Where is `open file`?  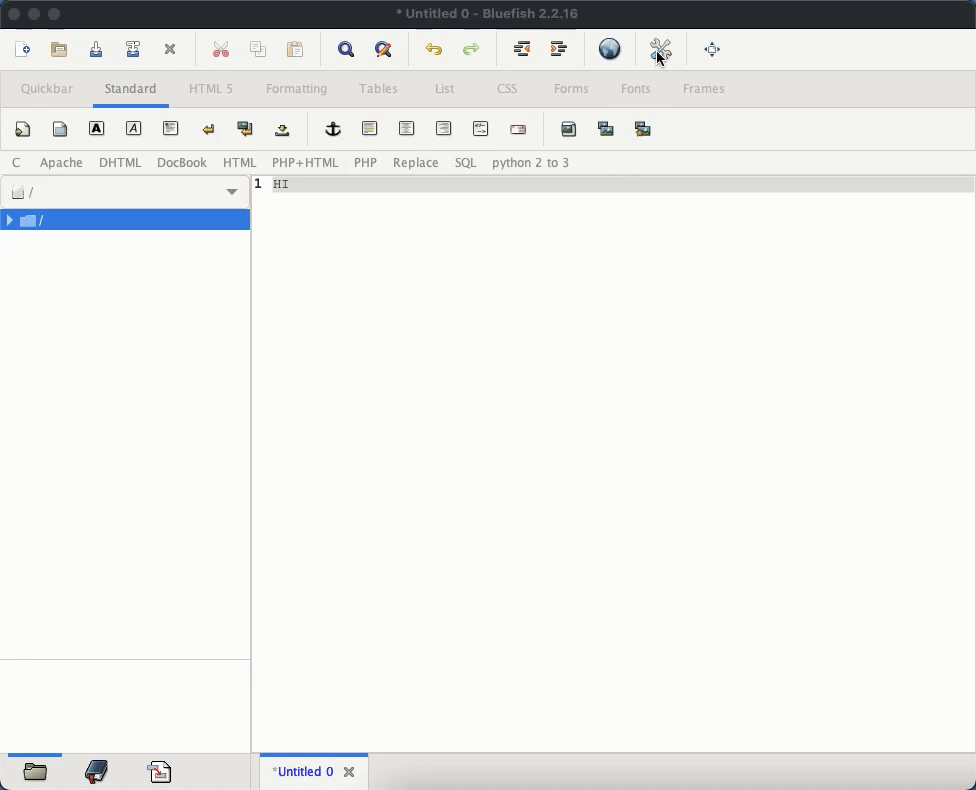
open file is located at coordinates (60, 50).